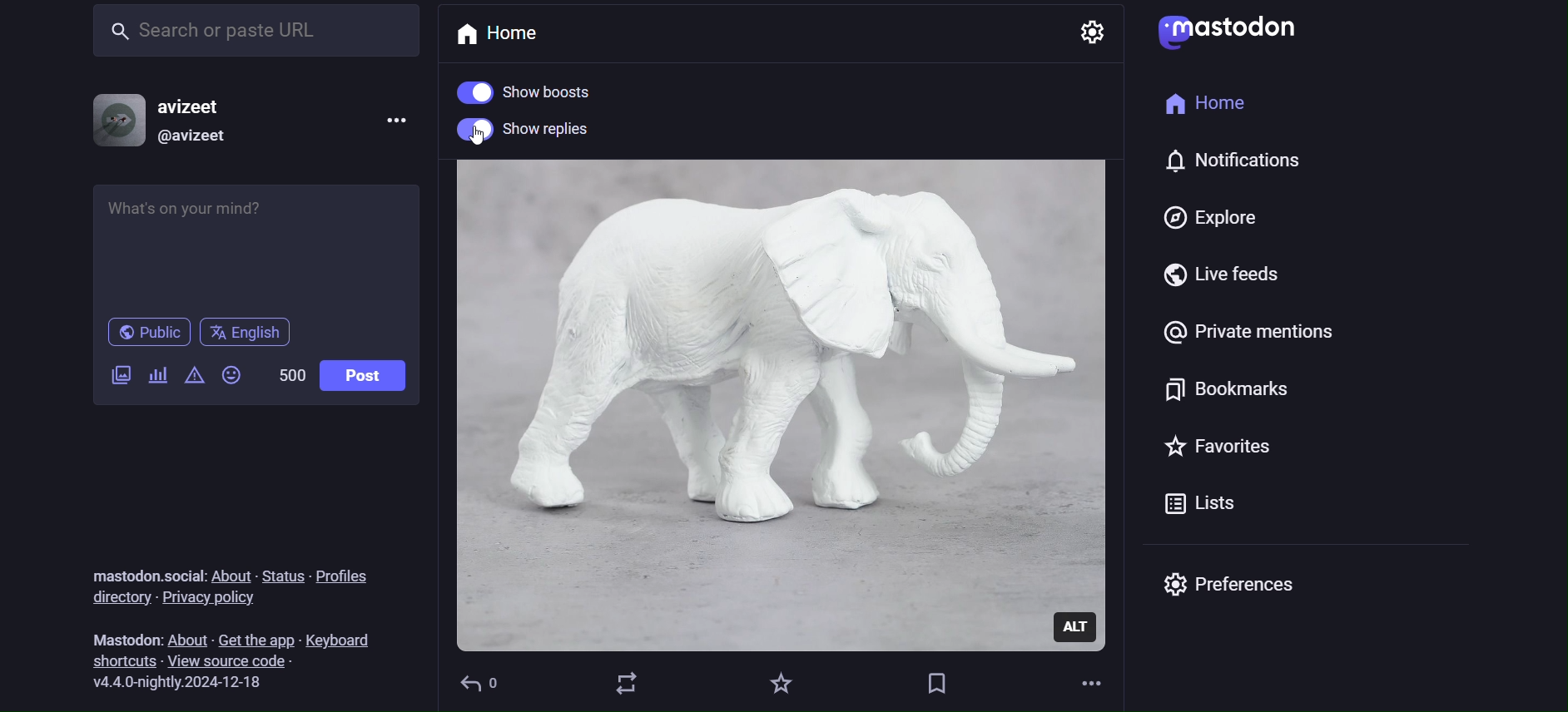 This screenshot has height=712, width=1568. Describe the element at coordinates (254, 248) in the screenshot. I see `whats on your mind` at that location.